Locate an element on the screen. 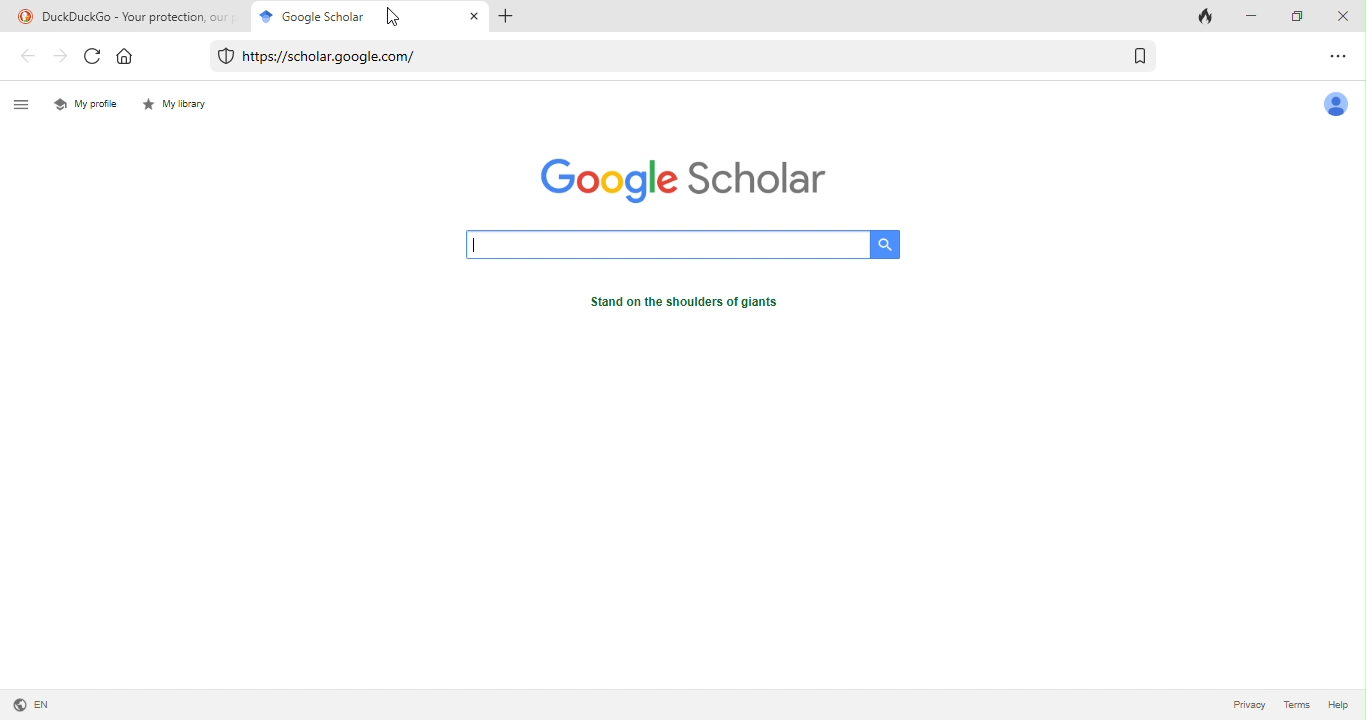 This screenshot has height=720, width=1366. bookmark is located at coordinates (1140, 57).